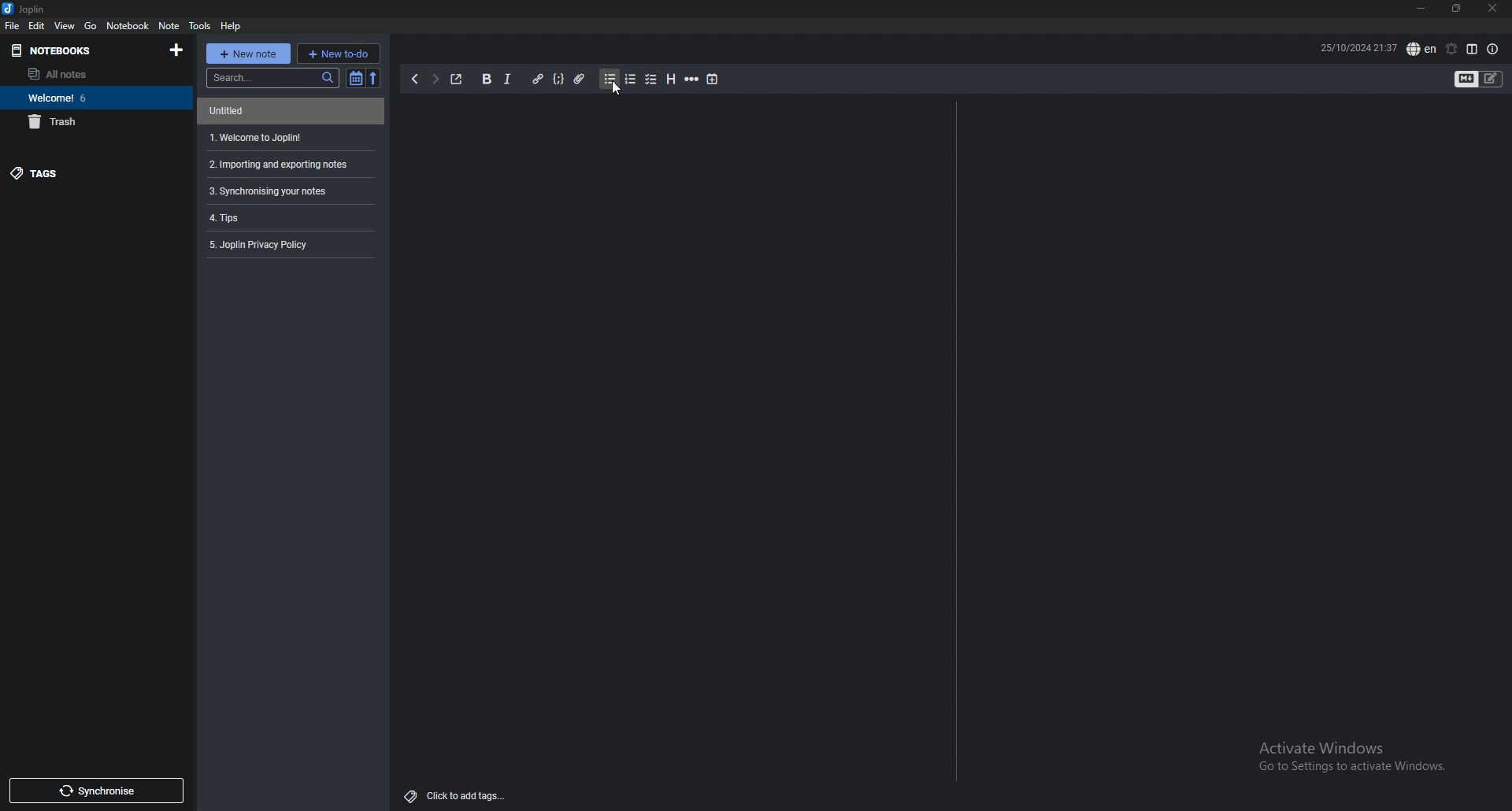  Describe the element at coordinates (627, 80) in the screenshot. I see `numbered list` at that location.